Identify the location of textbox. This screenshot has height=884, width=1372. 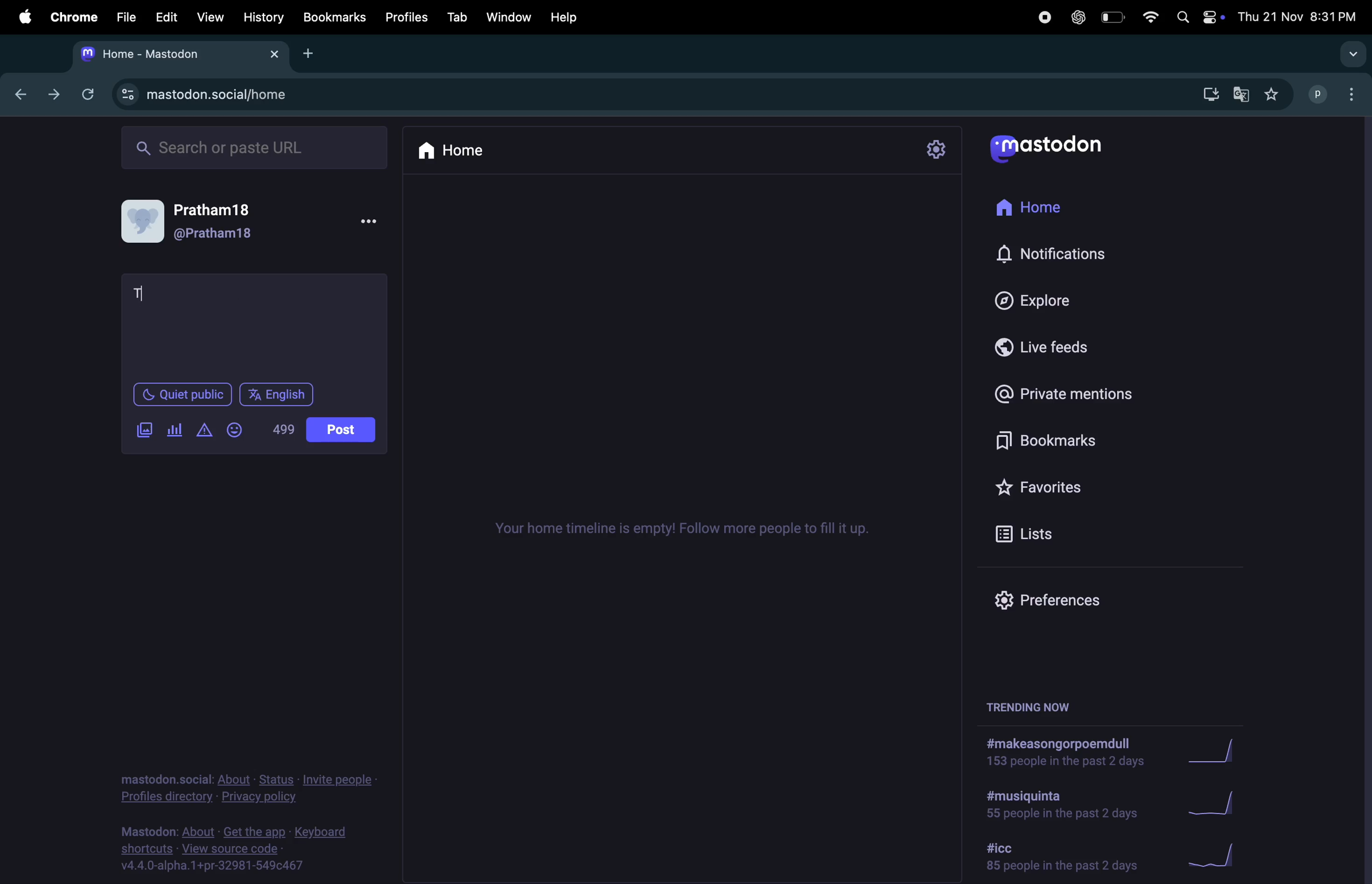
(252, 324).